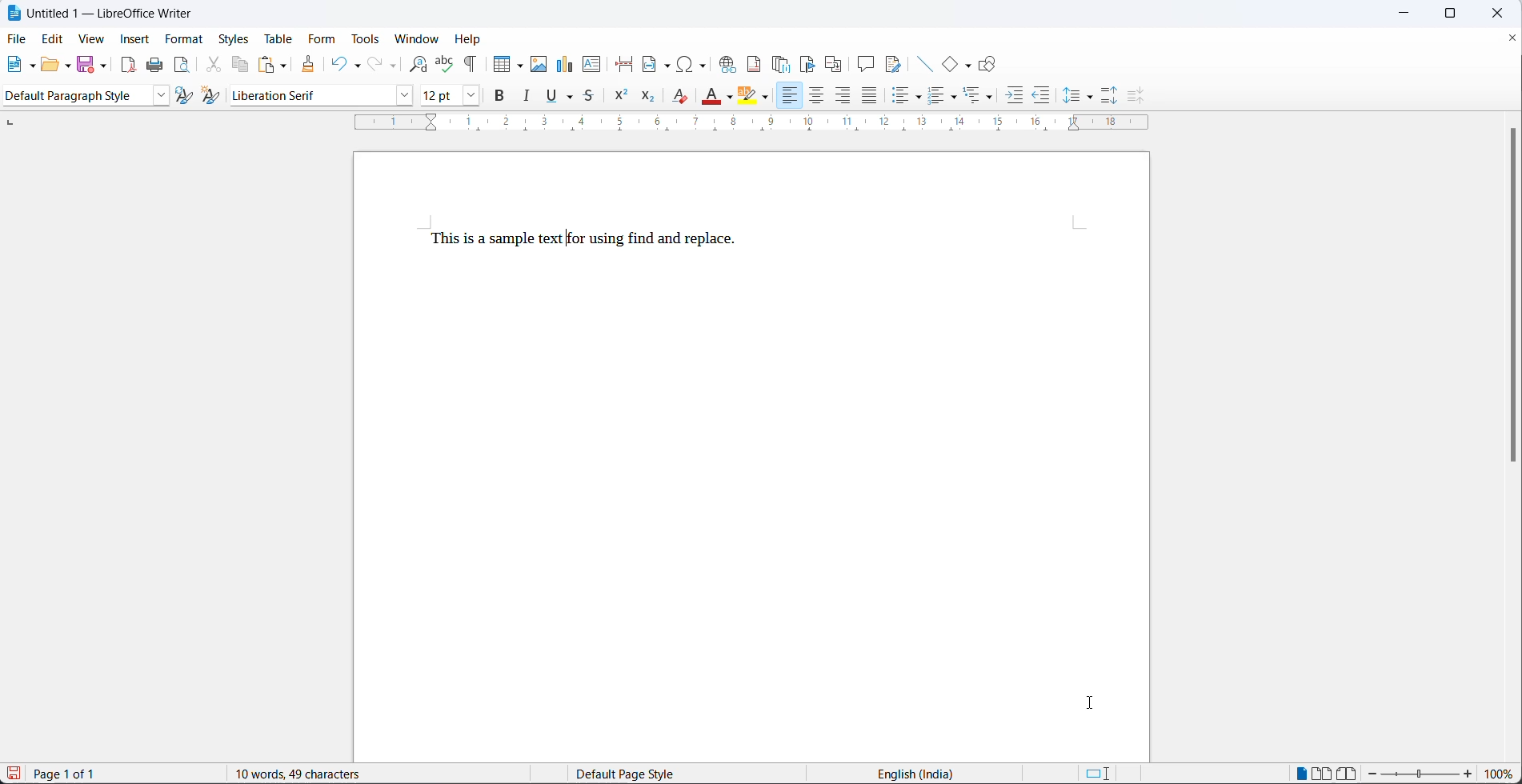 The height and width of the screenshot is (784, 1522). What do you see at coordinates (419, 62) in the screenshot?
I see `find and replace` at bounding box center [419, 62].